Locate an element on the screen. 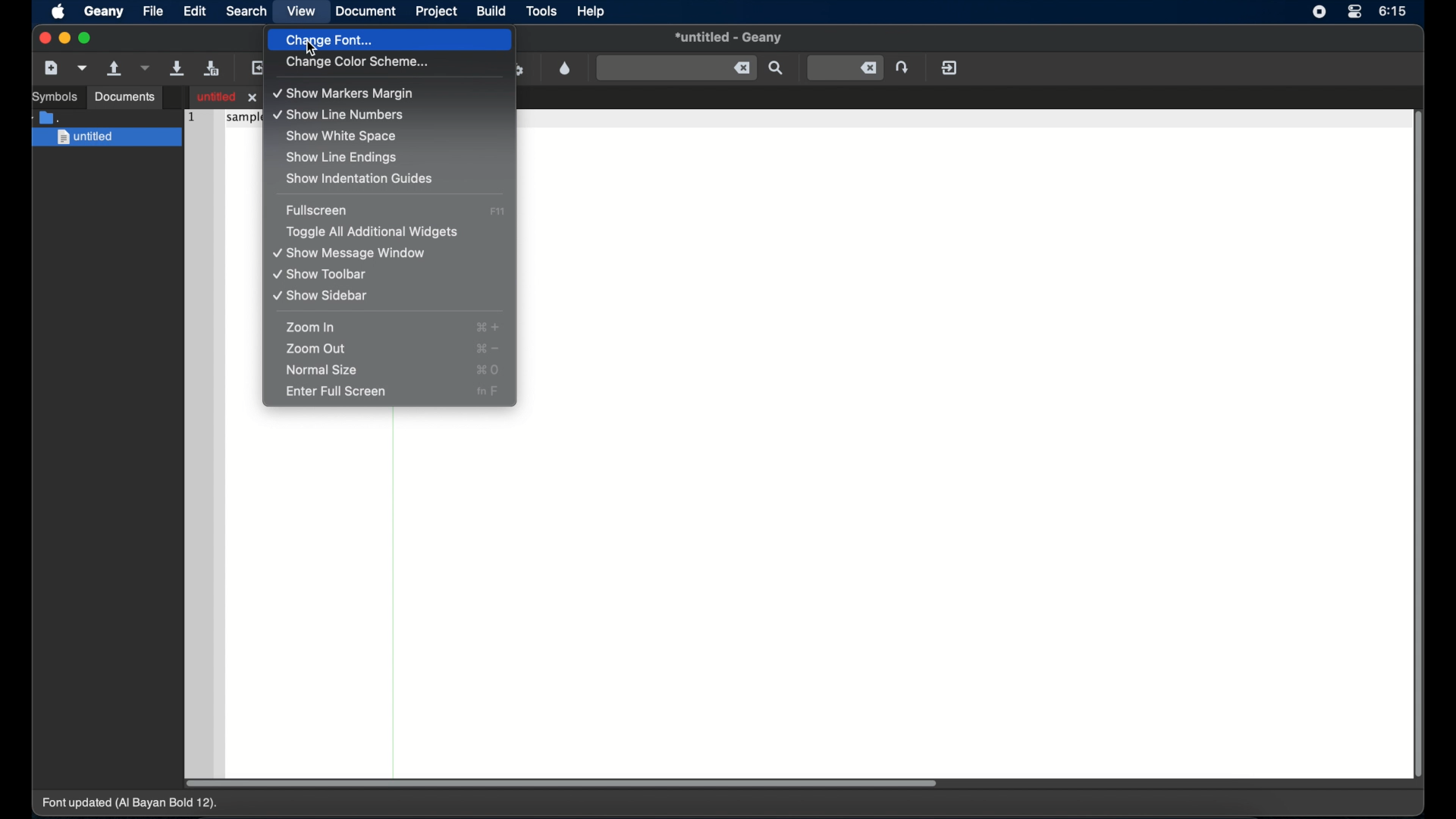 The height and width of the screenshot is (819, 1456). untitled is located at coordinates (108, 138).